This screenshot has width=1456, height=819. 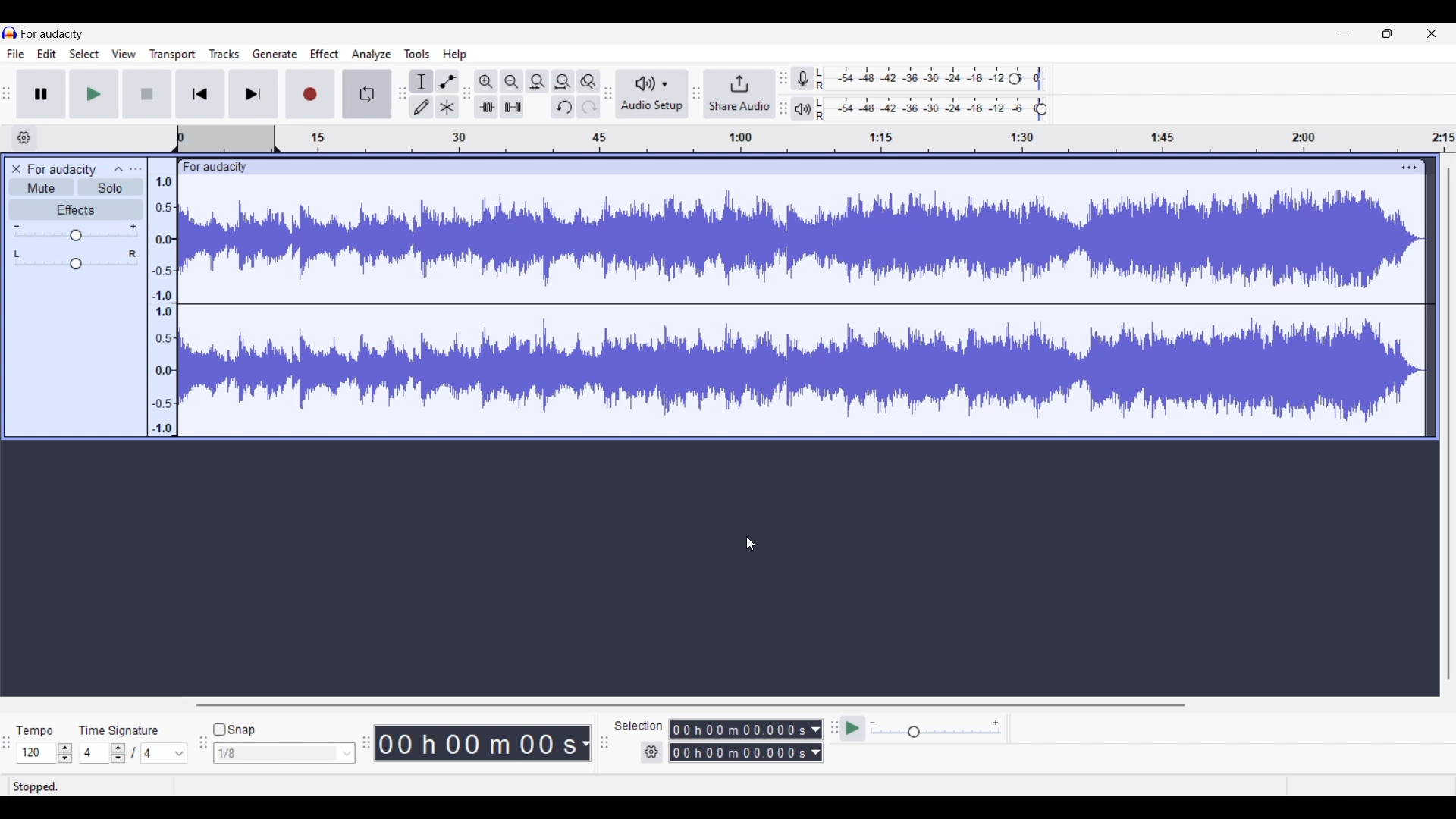 I want to click on Pan left, so click(x=17, y=254).